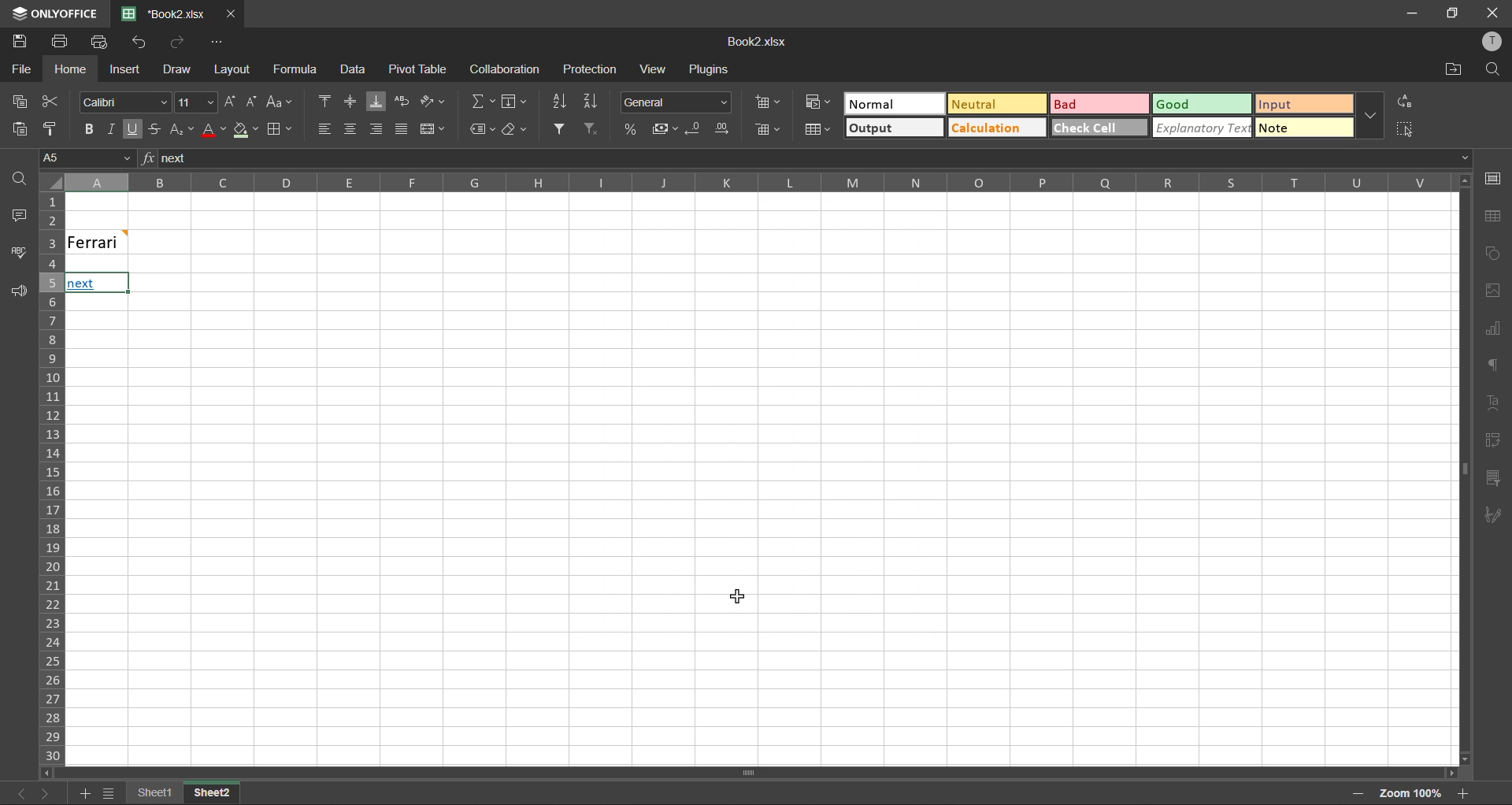  Describe the element at coordinates (402, 101) in the screenshot. I see `wrap text` at that location.